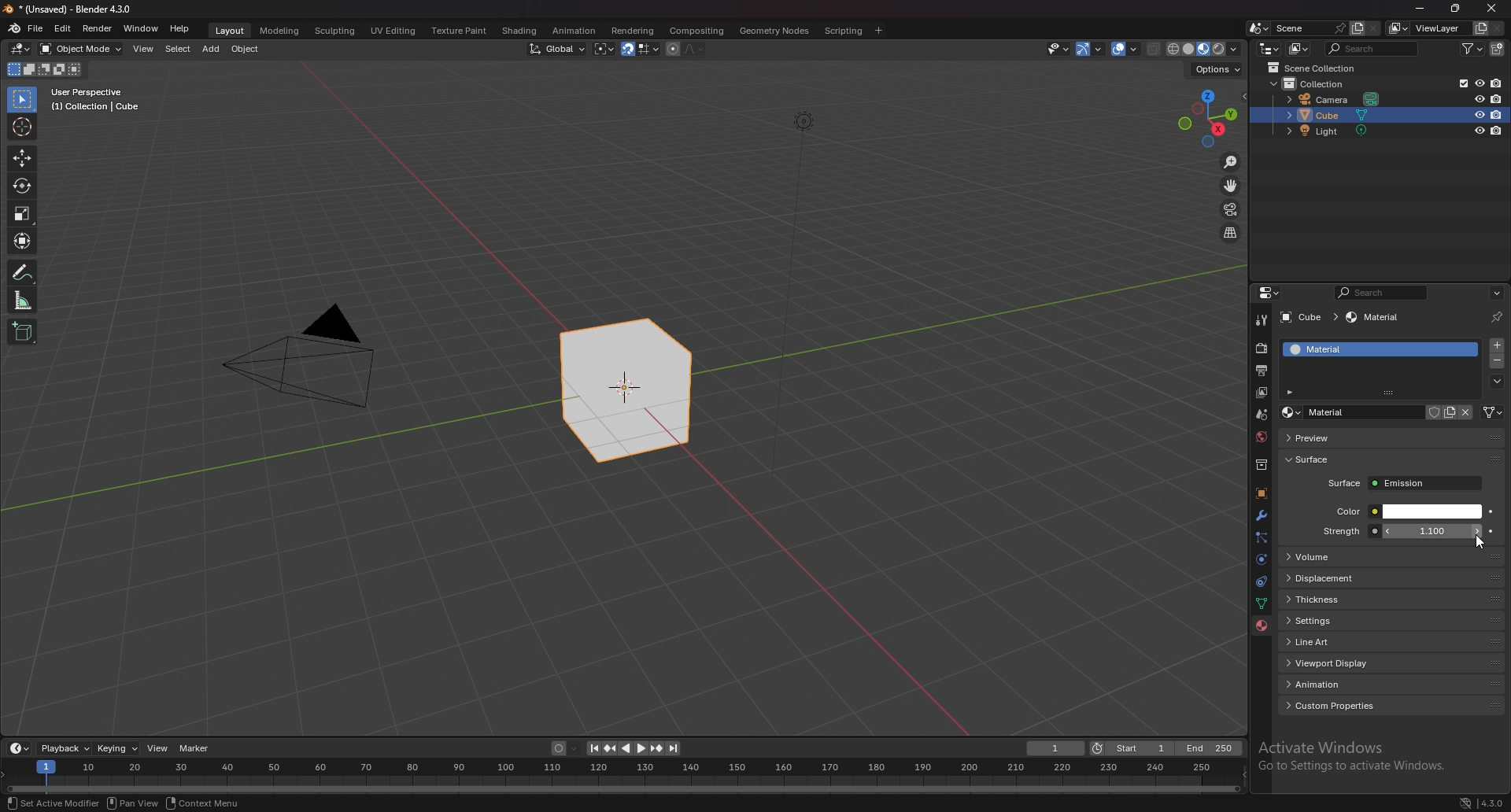 This screenshot has width=1511, height=812. Describe the element at coordinates (1261, 603) in the screenshot. I see `data` at that location.